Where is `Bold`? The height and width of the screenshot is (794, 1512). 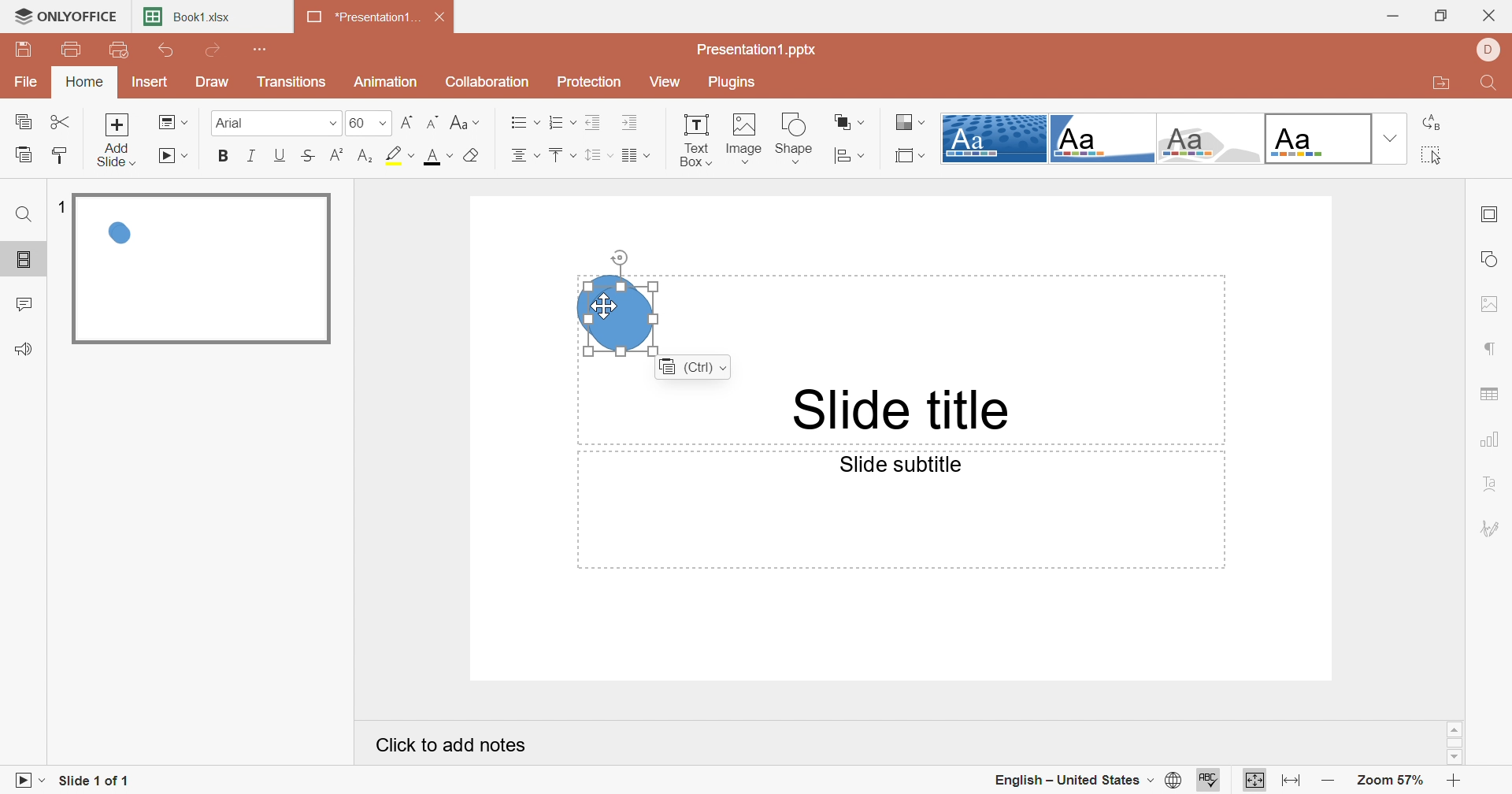
Bold is located at coordinates (225, 155).